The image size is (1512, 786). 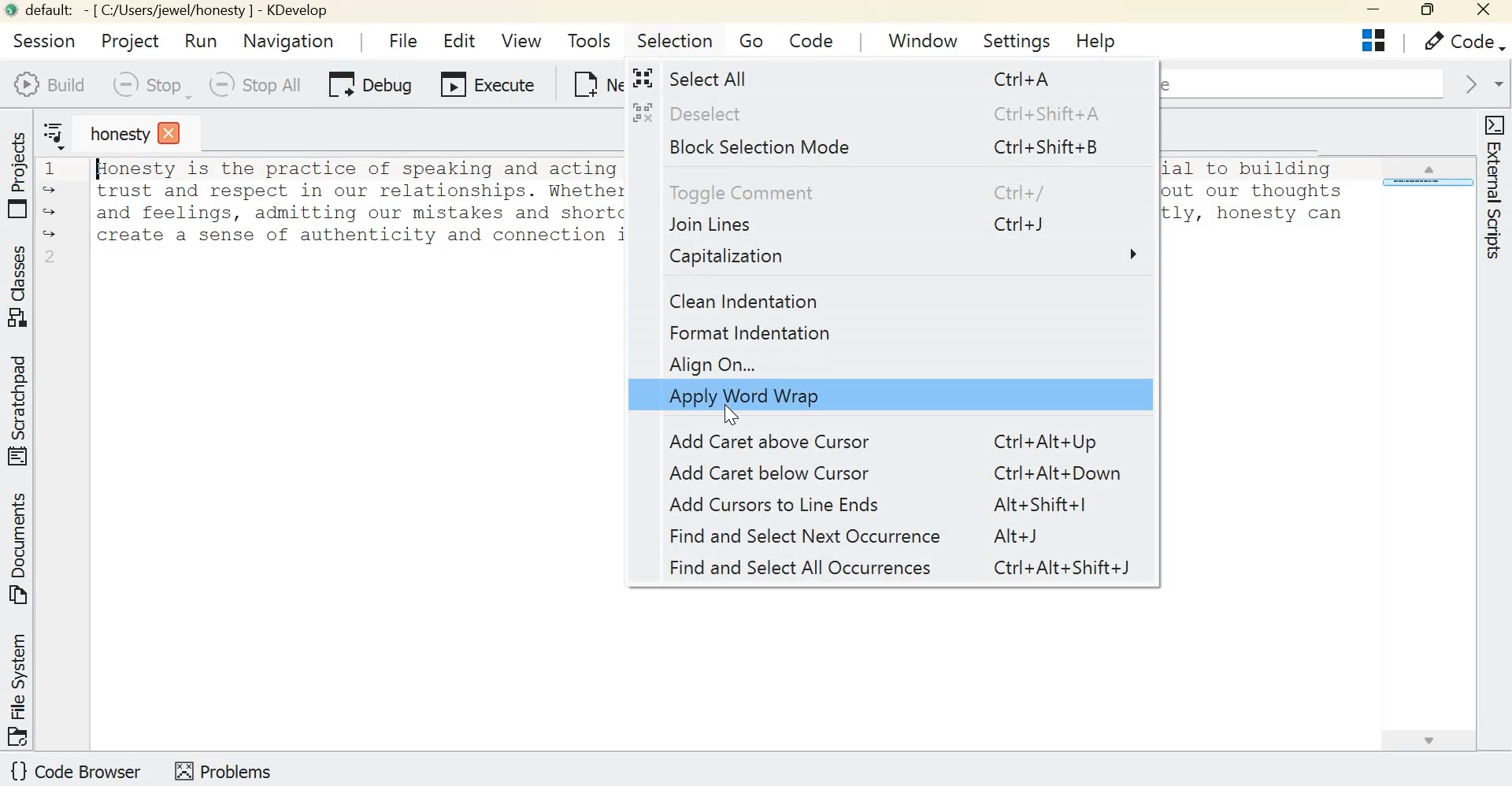 I want to click on honesty, so click(x=134, y=134).